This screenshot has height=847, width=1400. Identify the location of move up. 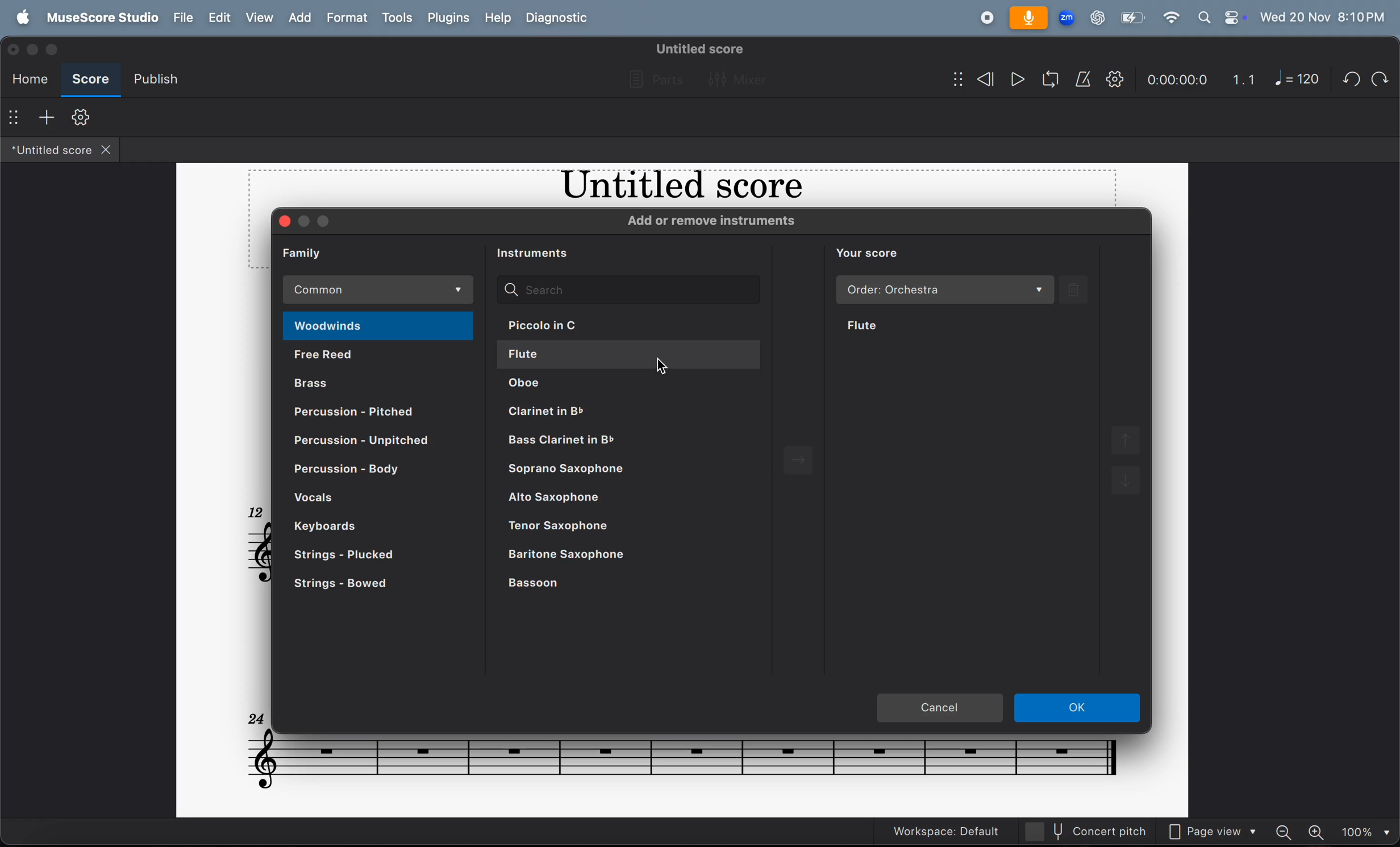
(1130, 440).